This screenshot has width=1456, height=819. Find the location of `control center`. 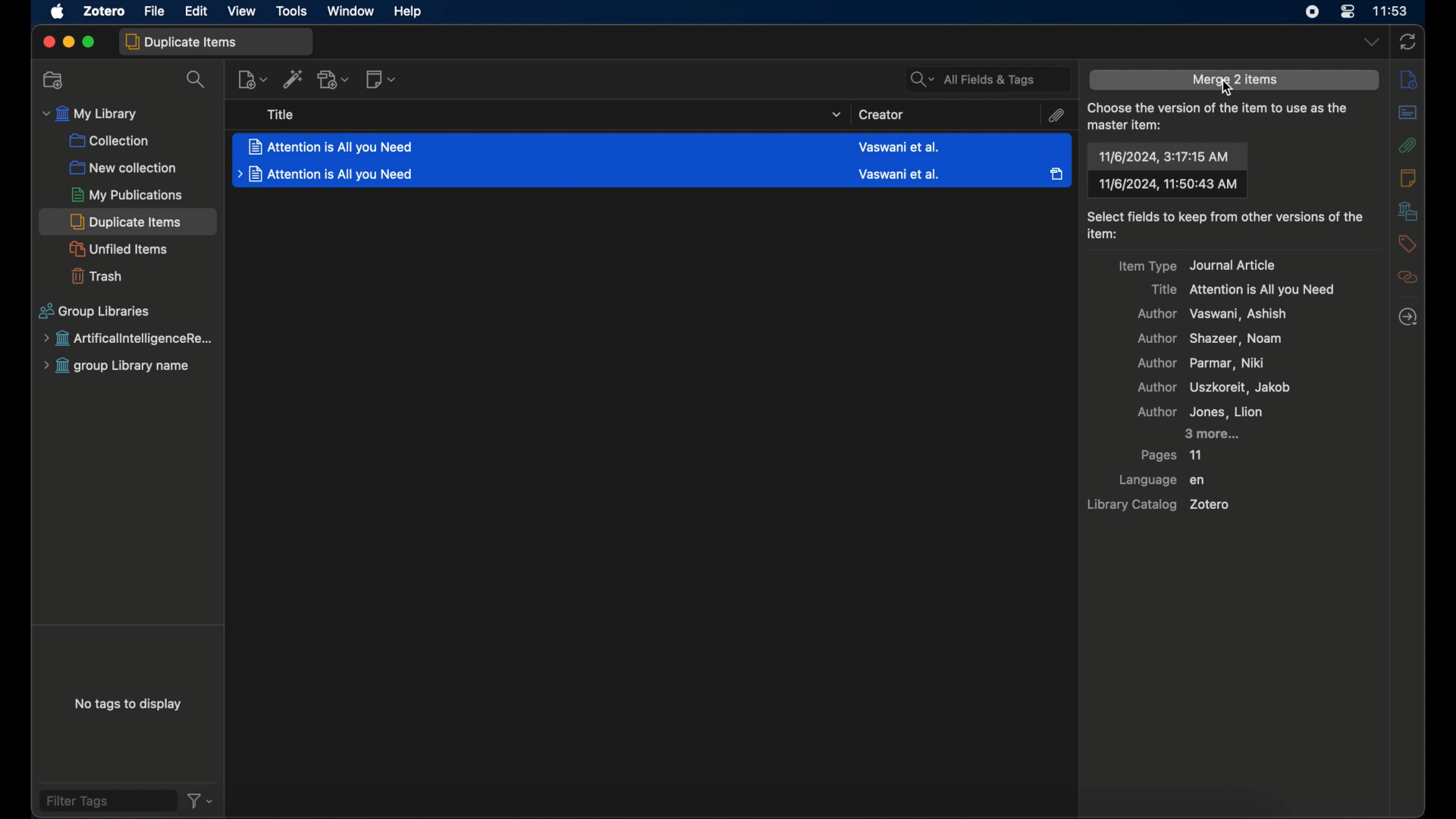

control center is located at coordinates (1347, 12).